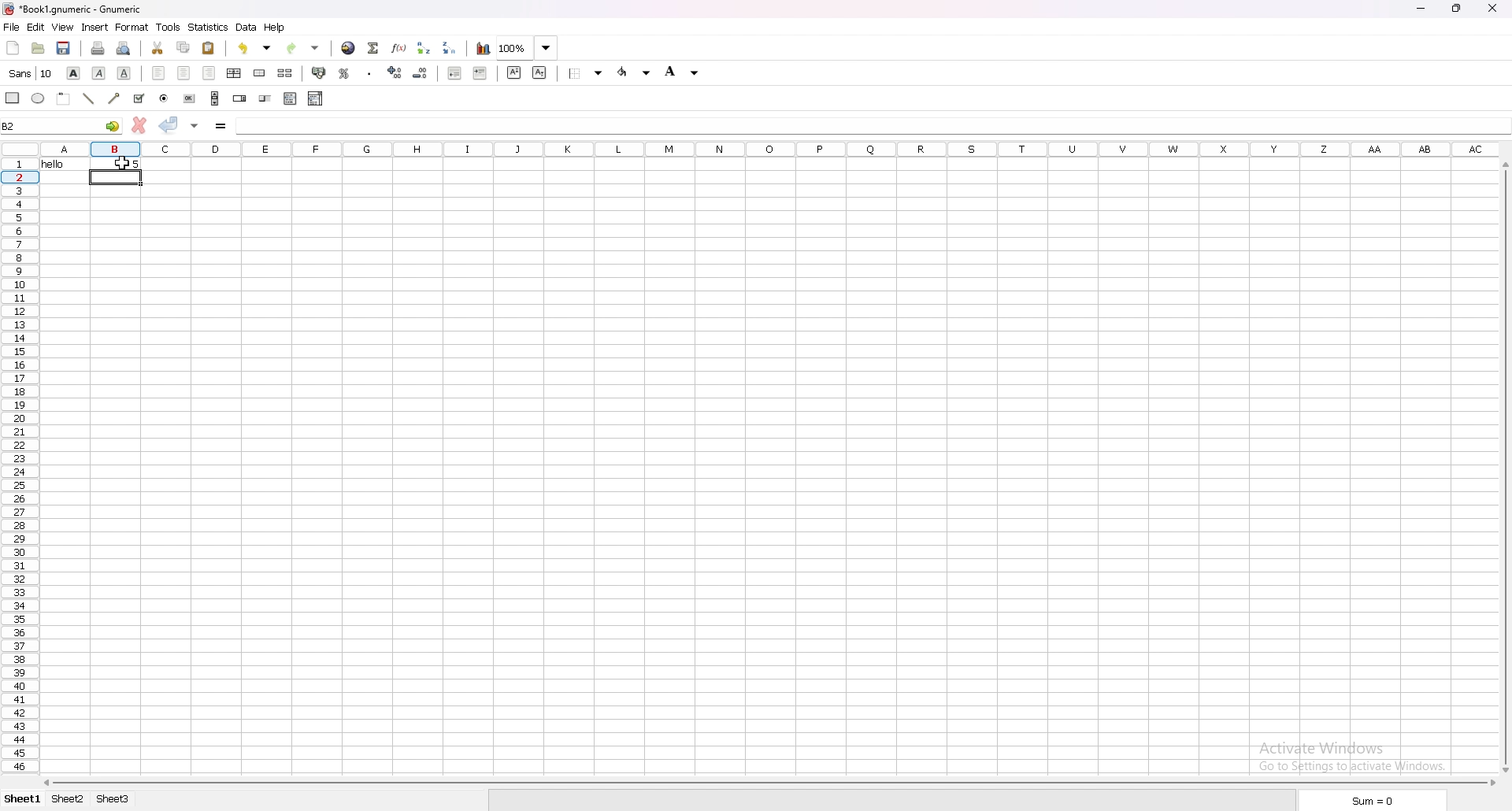  What do you see at coordinates (168, 27) in the screenshot?
I see `tools` at bounding box center [168, 27].